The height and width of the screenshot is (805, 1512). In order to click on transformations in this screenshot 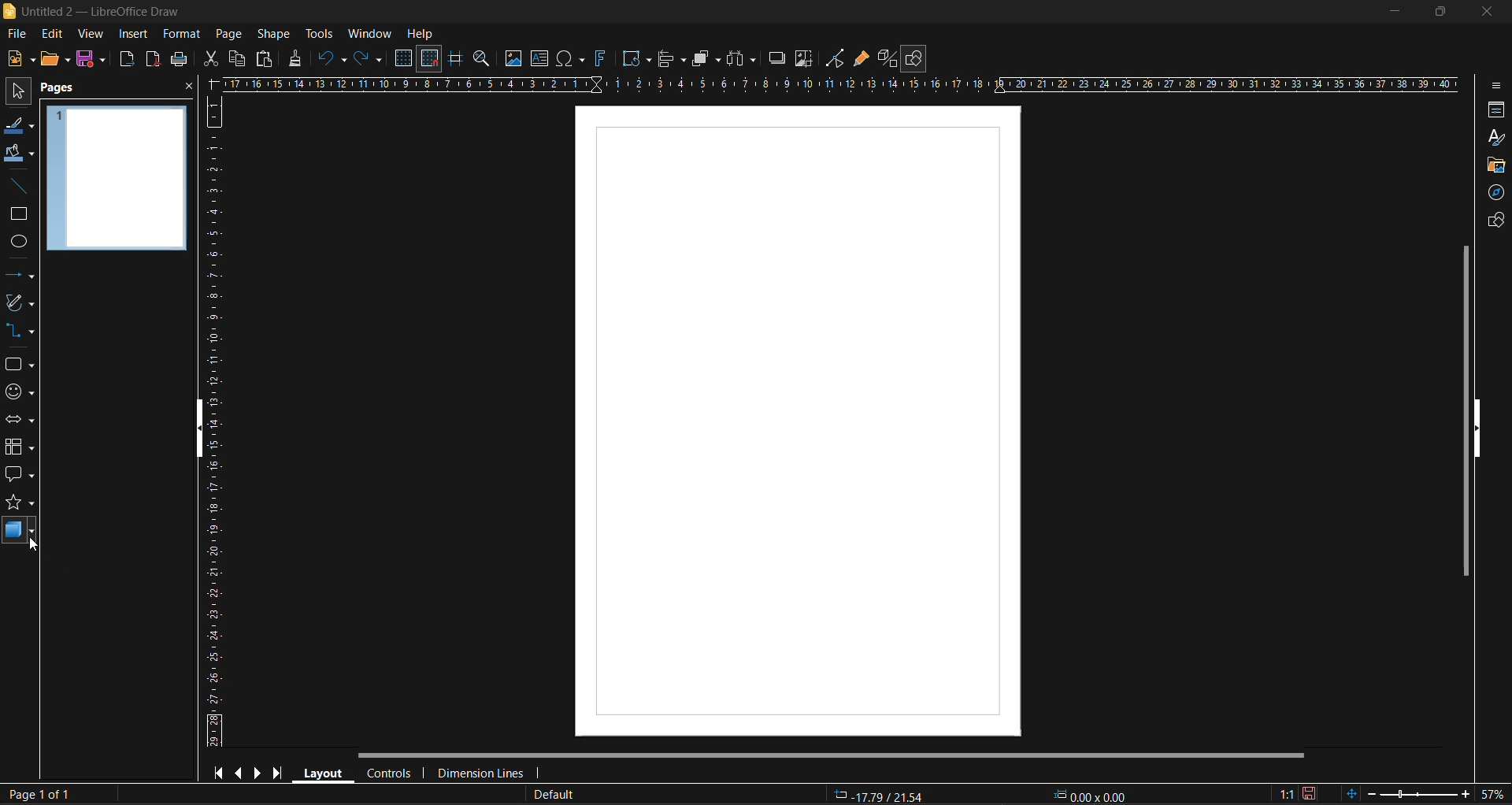, I will do `click(638, 59)`.